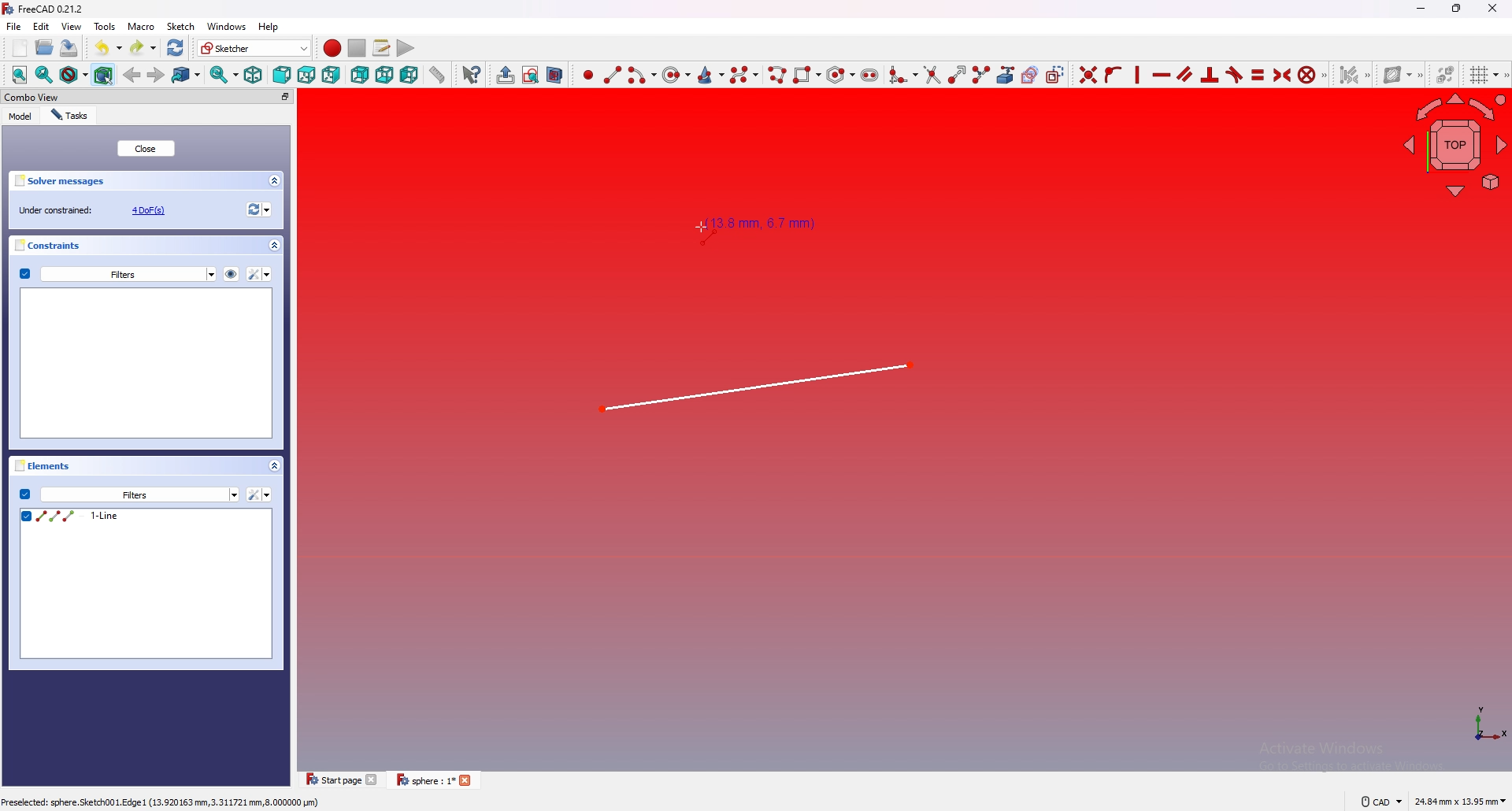 This screenshot has height=811, width=1512. What do you see at coordinates (1481, 75) in the screenshot?
I see `Toggle grid` at bounding box center [1481, 75].